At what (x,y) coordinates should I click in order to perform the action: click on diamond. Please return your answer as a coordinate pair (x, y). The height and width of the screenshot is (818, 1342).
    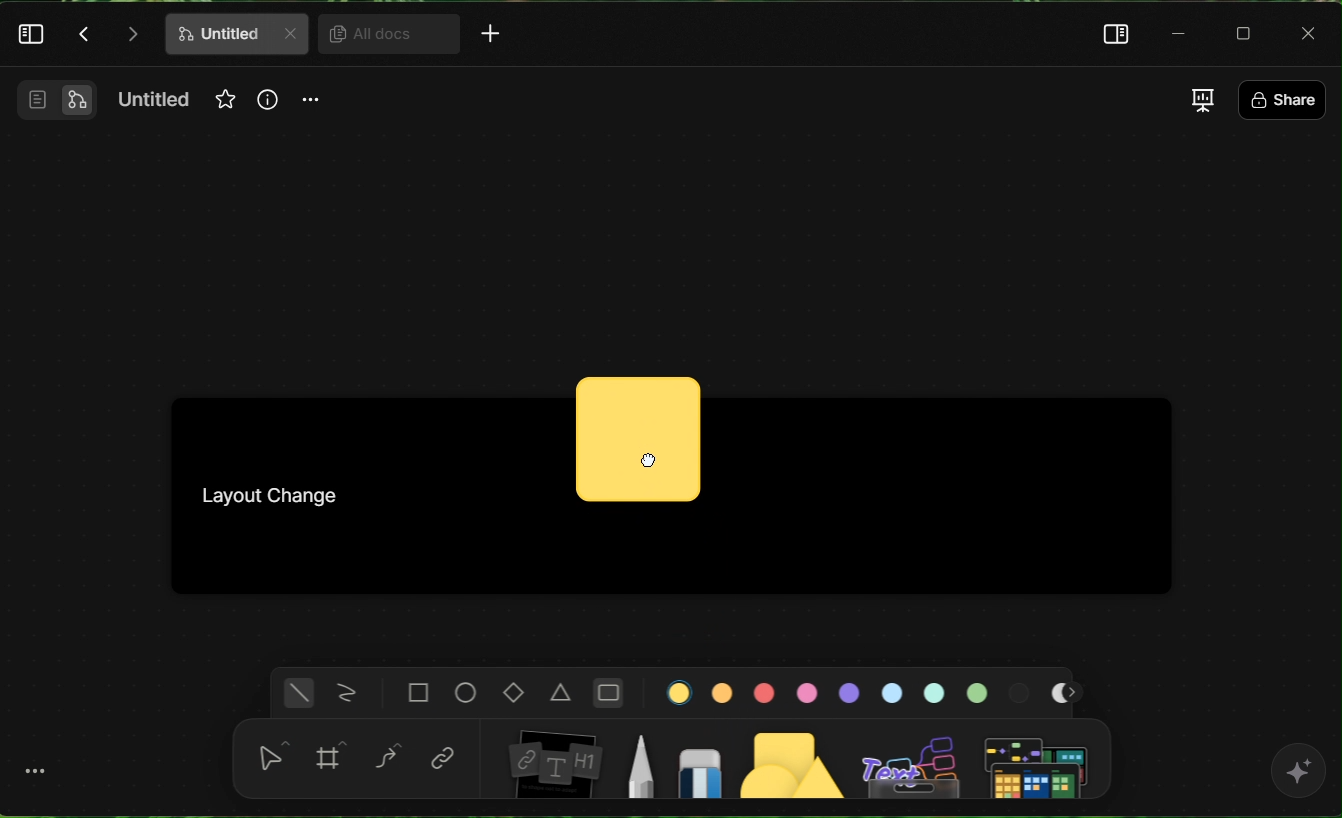
    Looking at the image, I should click on (511, 691).